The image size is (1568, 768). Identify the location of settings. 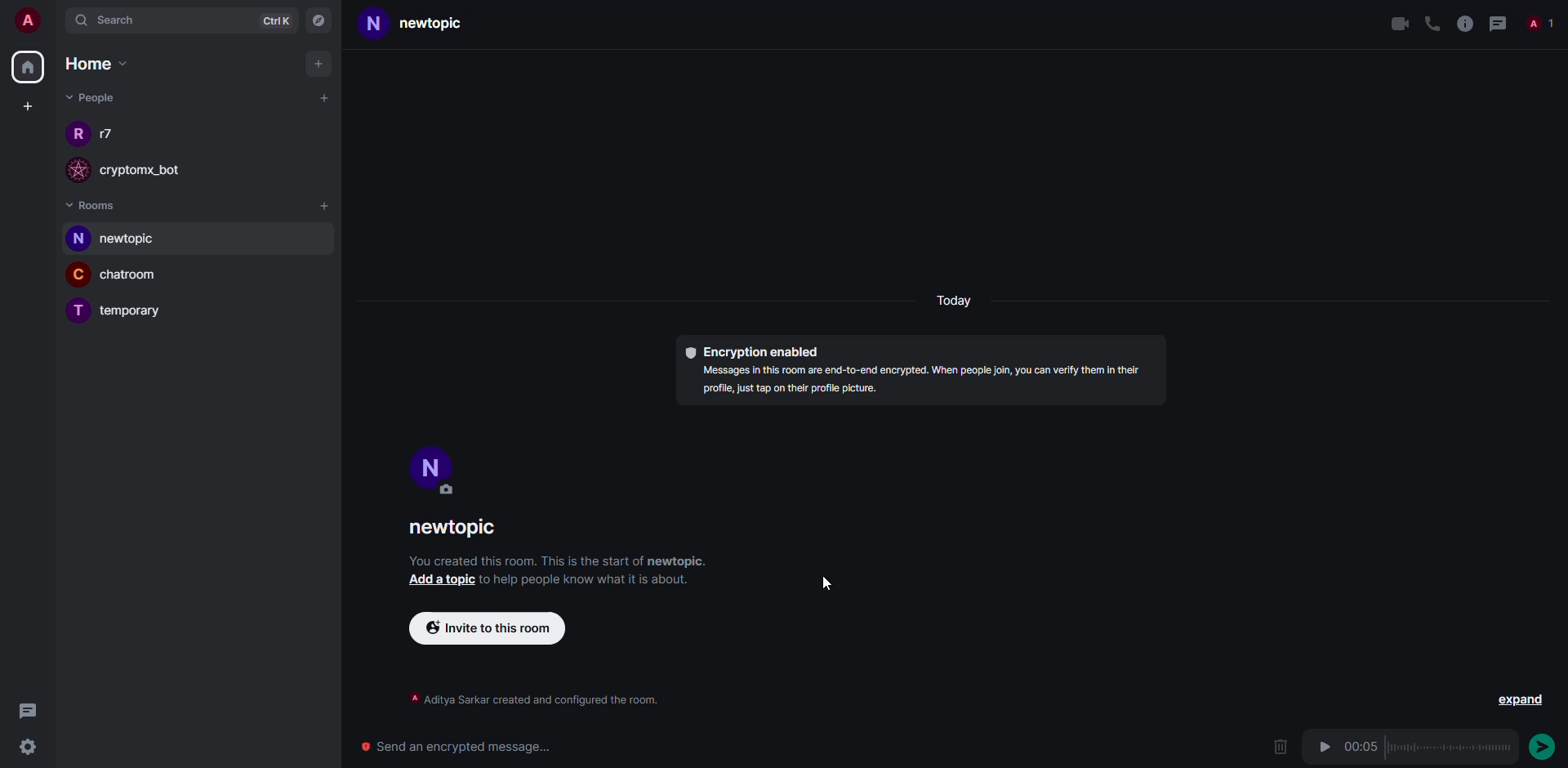
(34, 748).